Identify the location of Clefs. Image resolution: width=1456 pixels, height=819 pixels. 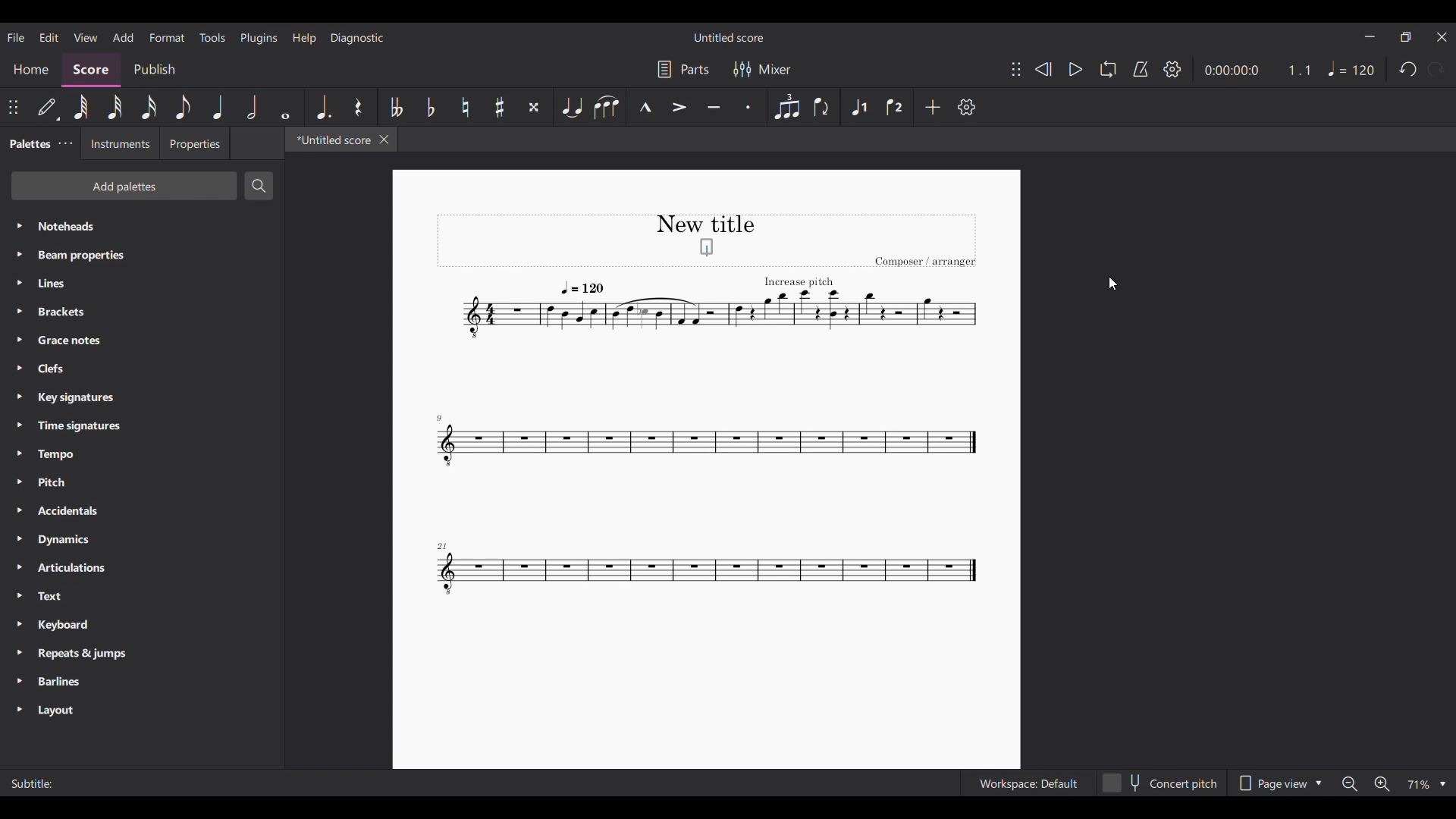
(142, 368).